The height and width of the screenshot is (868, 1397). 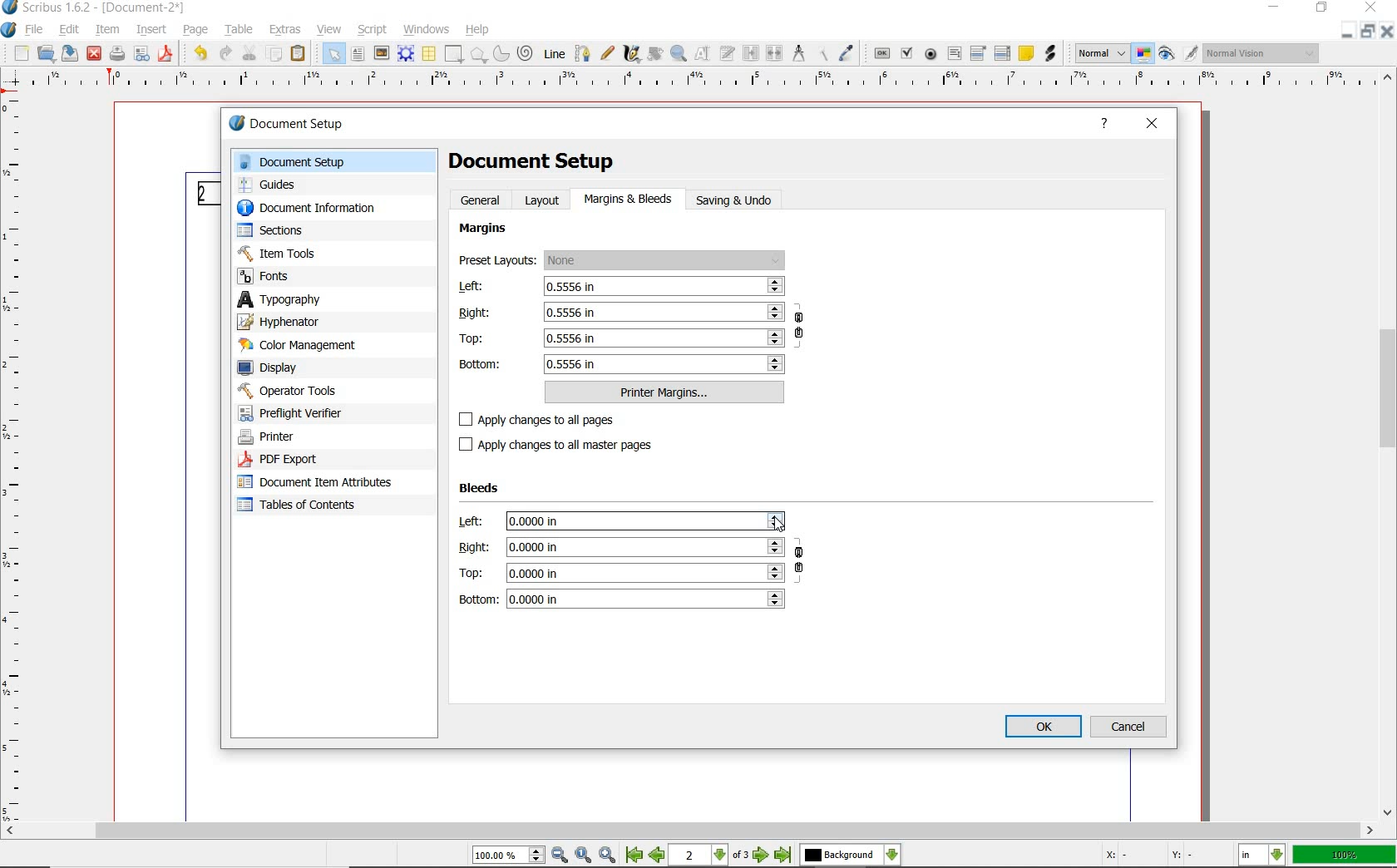 I want to click on fonts, so click(x=274, y=277).